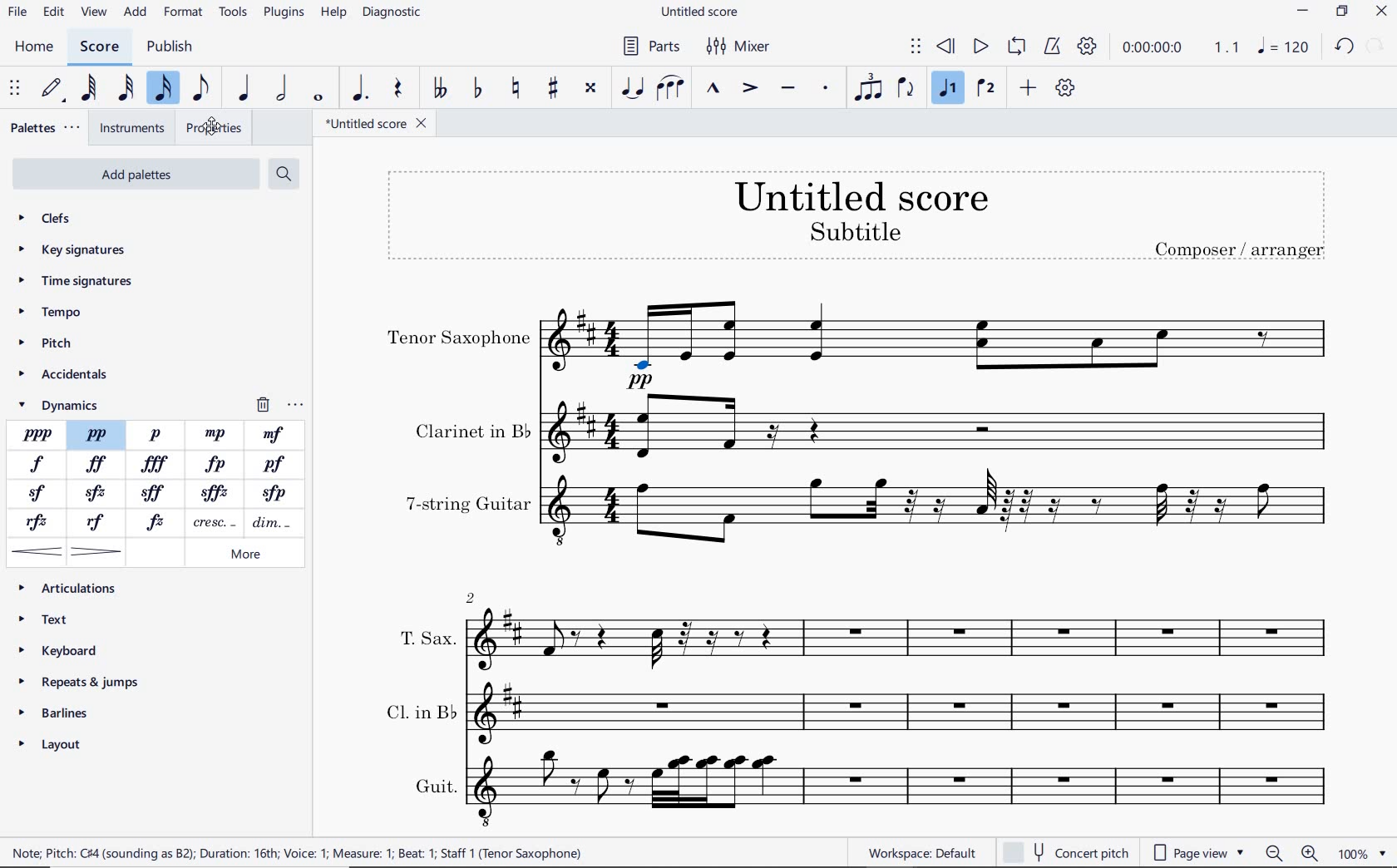 This screenshot has width=1397, height=868. What do you see at coordinates (332, 14) in the screenshot?
I see `help` at bounding box center [332, 14].